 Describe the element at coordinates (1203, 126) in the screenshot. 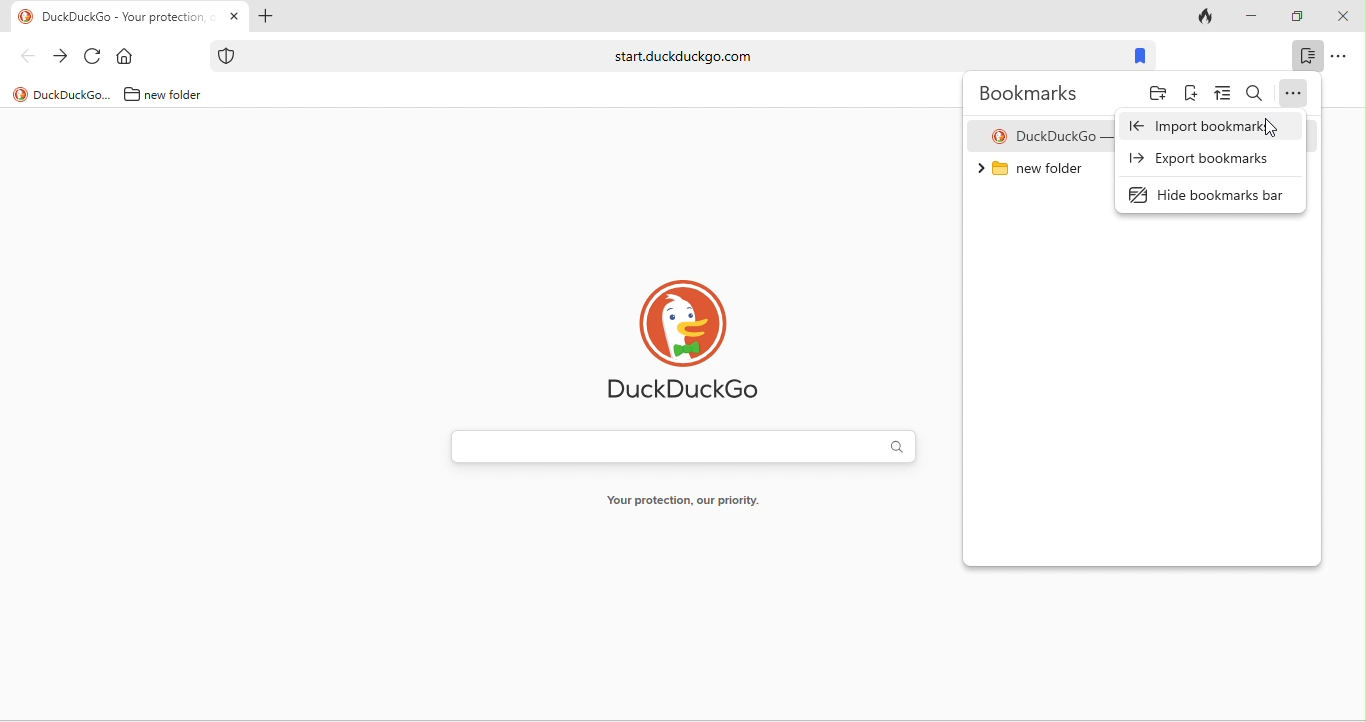

I see `import bookmark` at that location.